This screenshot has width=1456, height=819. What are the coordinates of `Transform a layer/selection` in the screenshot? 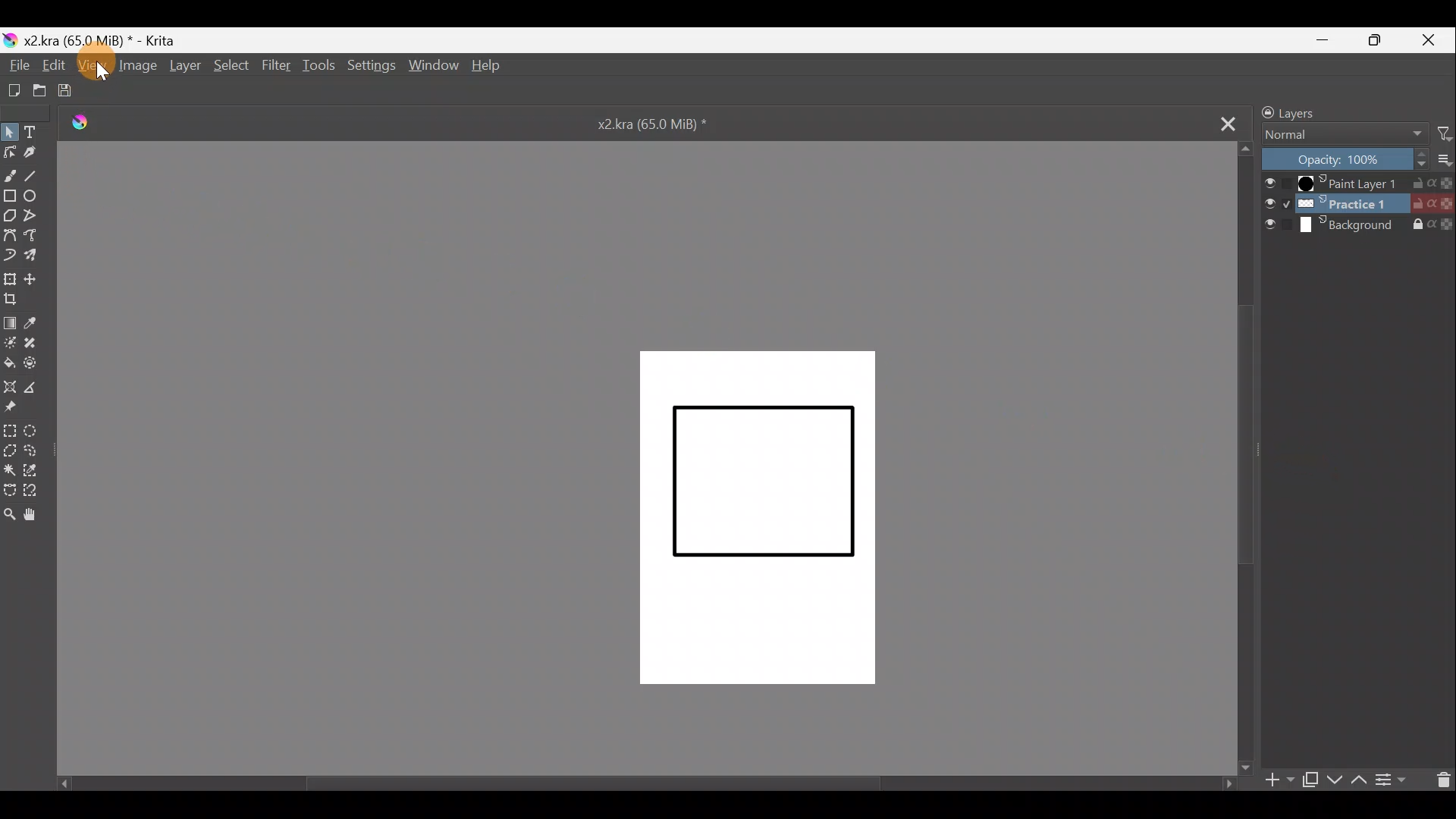 It's located at (11, 280).